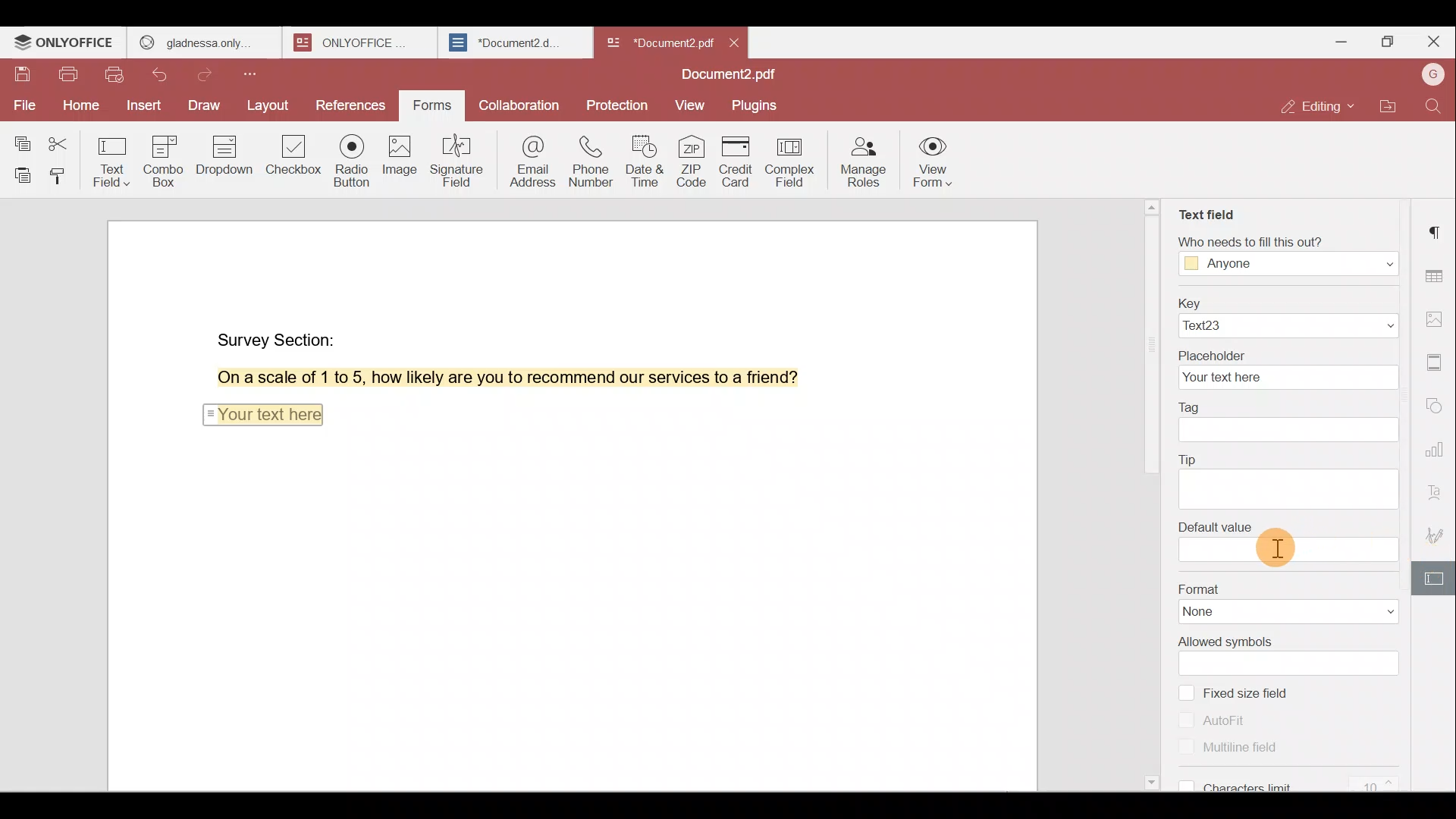  I want to click on Image, so click(398, 159).